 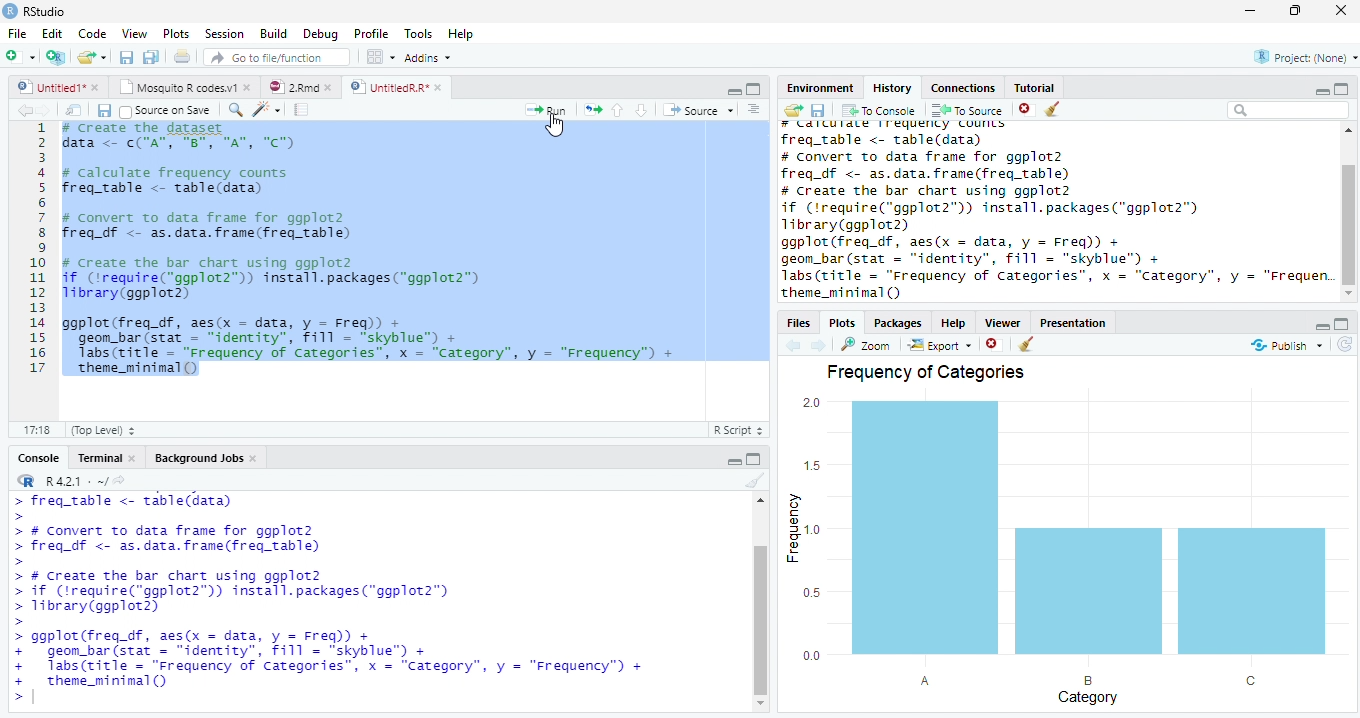 What do you see at coordinates (757, 604) in the screenshot?
I see `Scrollbar` at bounding box center [757, 604].